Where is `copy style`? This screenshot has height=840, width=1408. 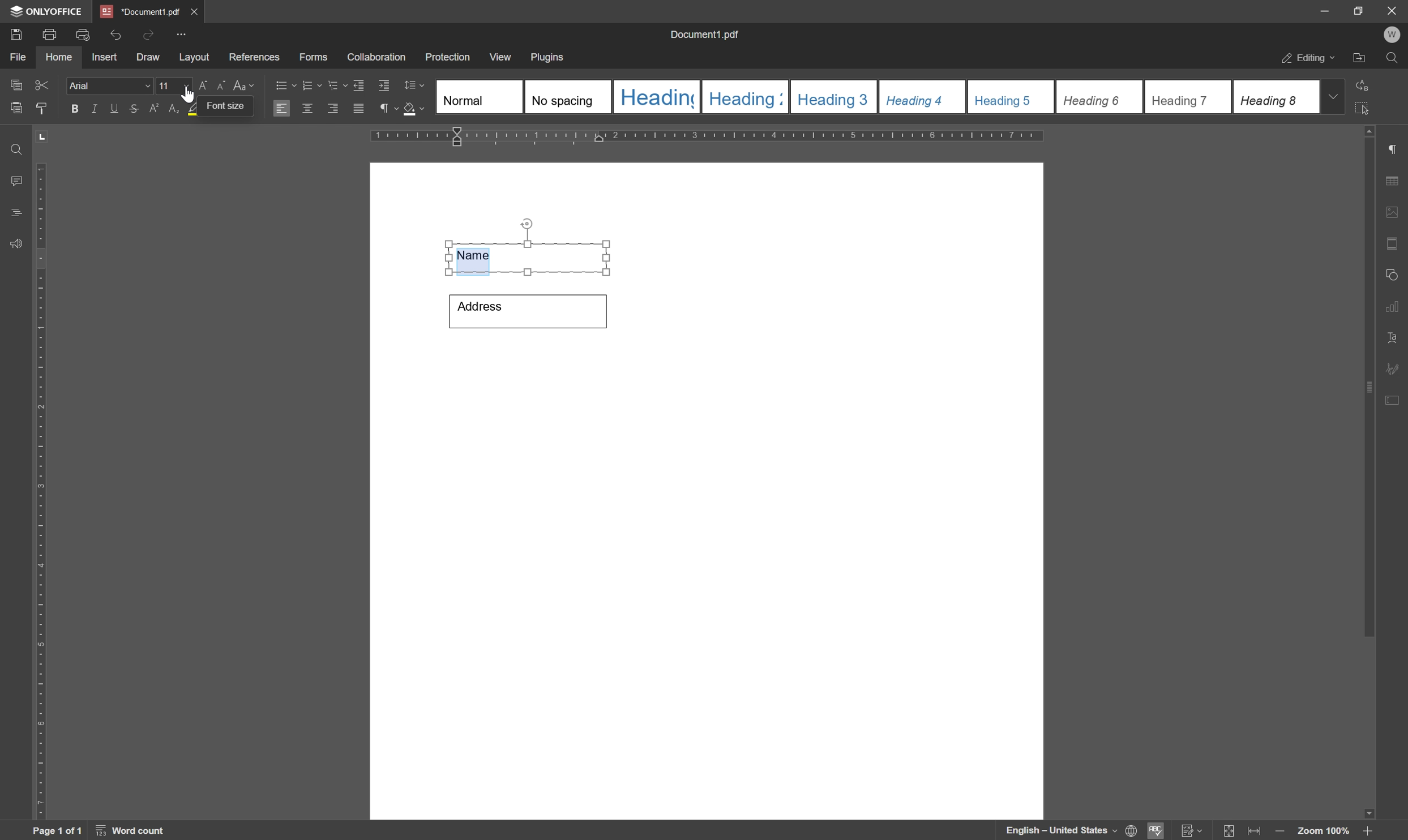 copy style is located at coordinates (42, 107).